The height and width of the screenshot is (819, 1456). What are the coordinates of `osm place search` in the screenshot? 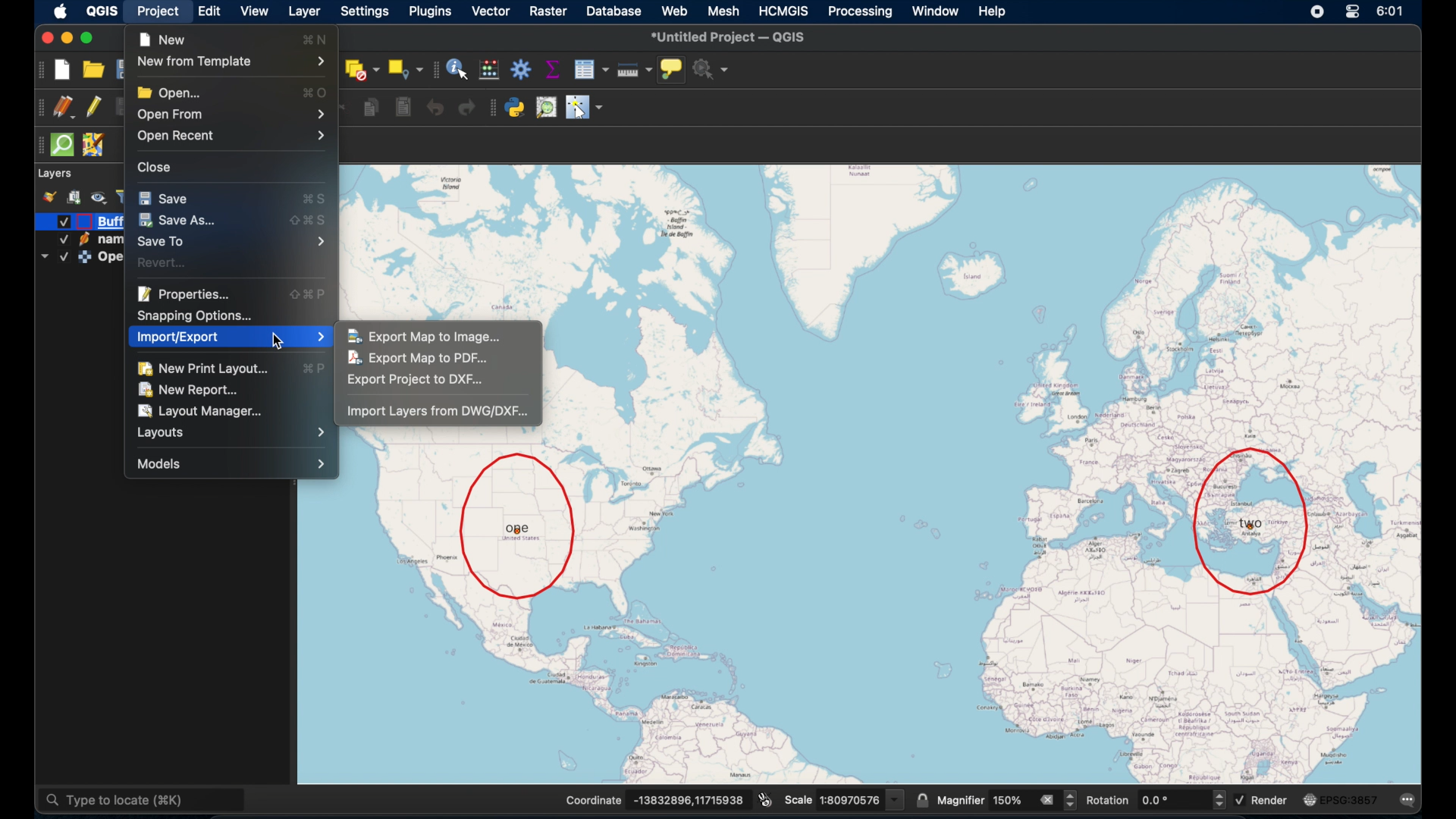 It's located at (545, 108).